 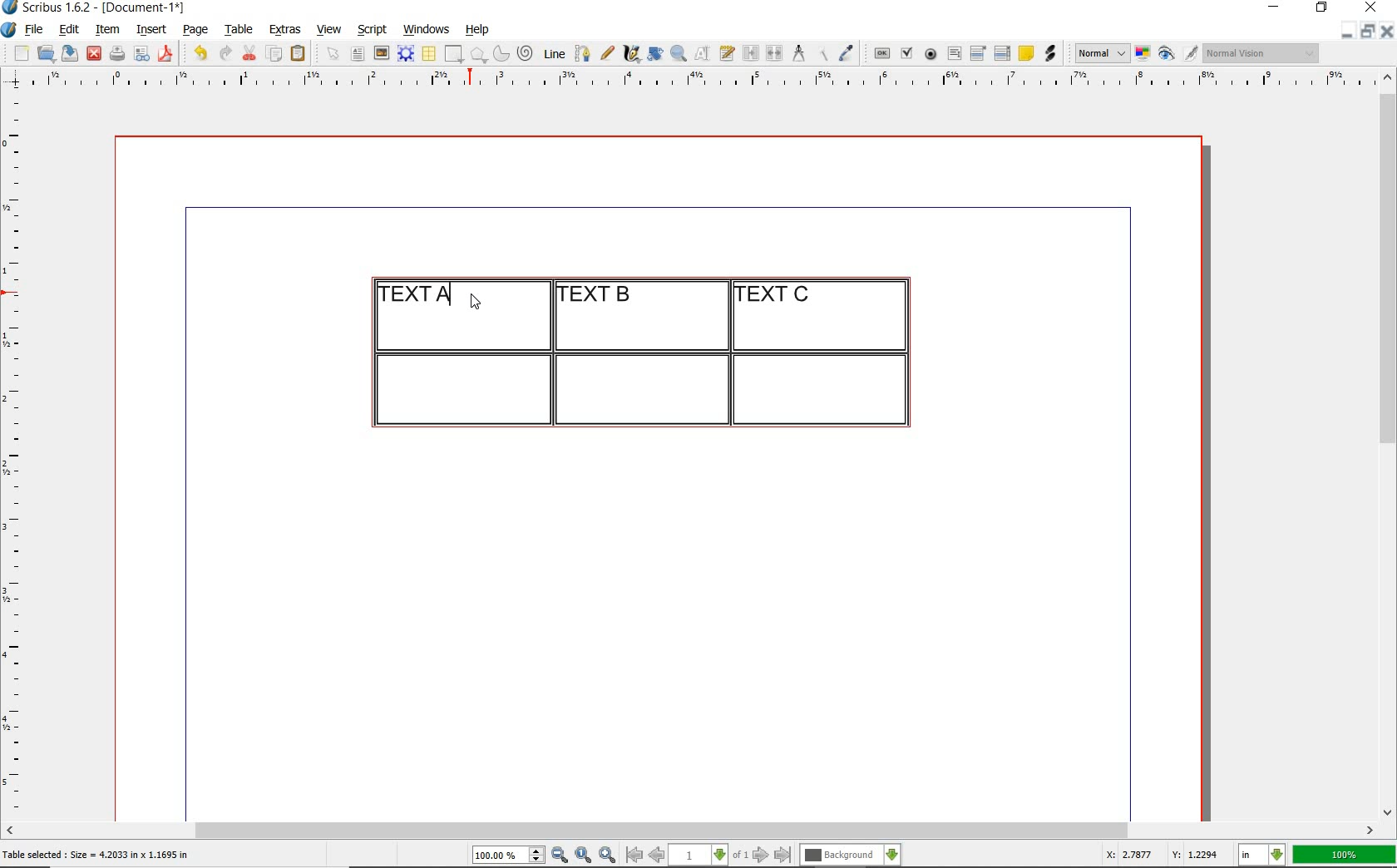 What do you see at coordinates (752, 55) in the screenshot?
I see `link text frames` at bounding box center [752, 55].